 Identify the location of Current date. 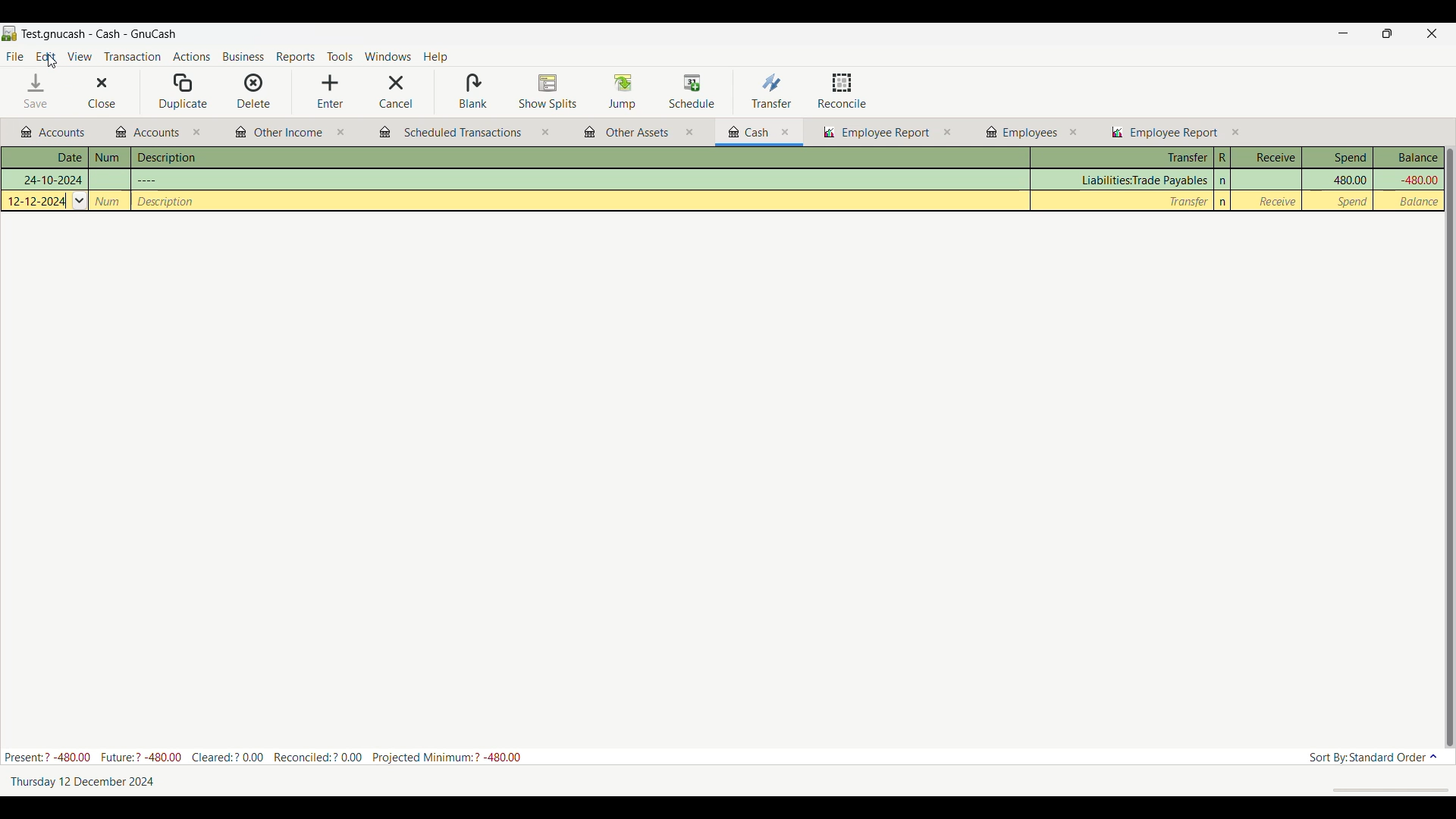
(82, 781).